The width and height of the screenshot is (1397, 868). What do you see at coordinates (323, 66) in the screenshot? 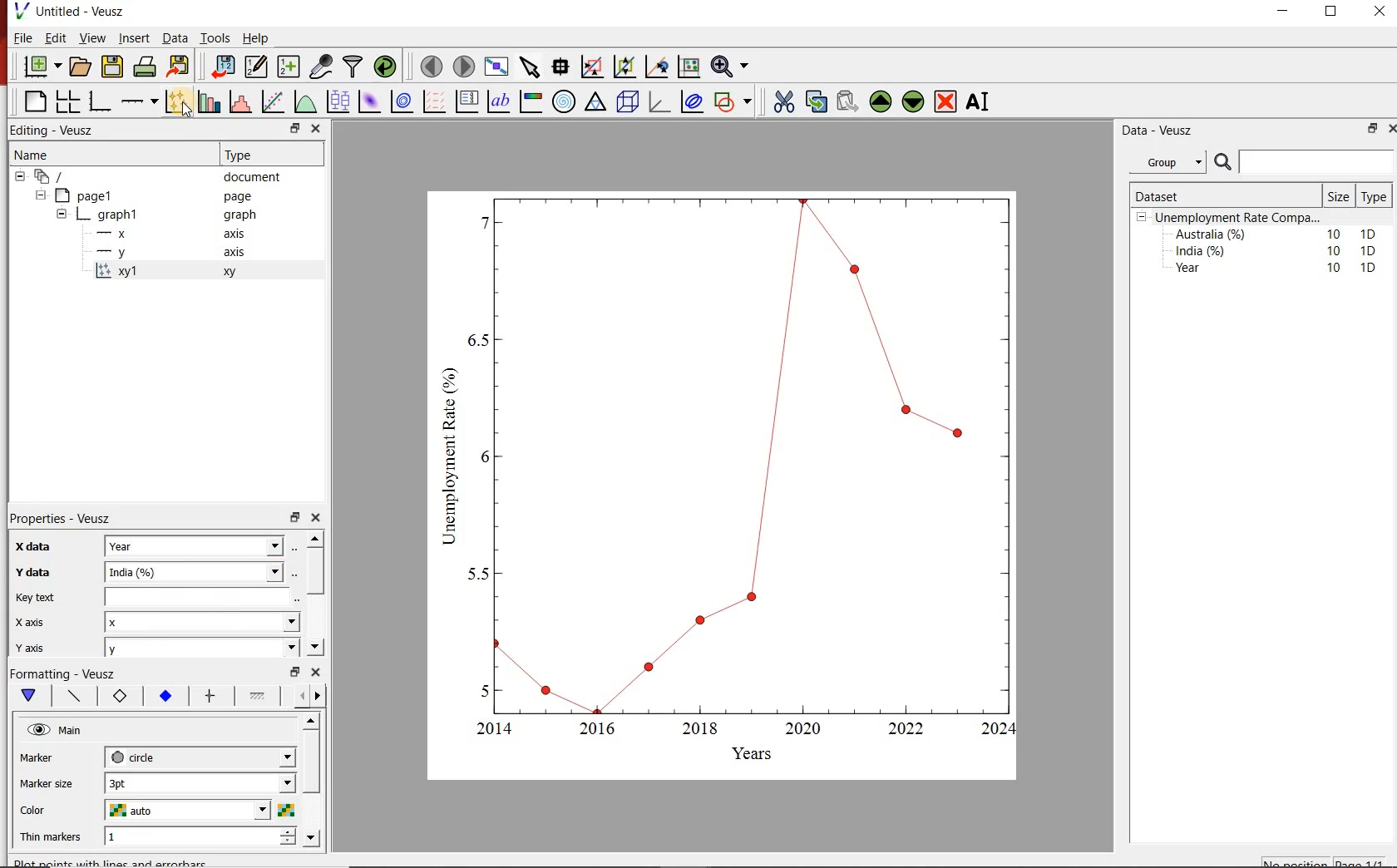
I see `caputure remote data` at bounding box center [323, 66].